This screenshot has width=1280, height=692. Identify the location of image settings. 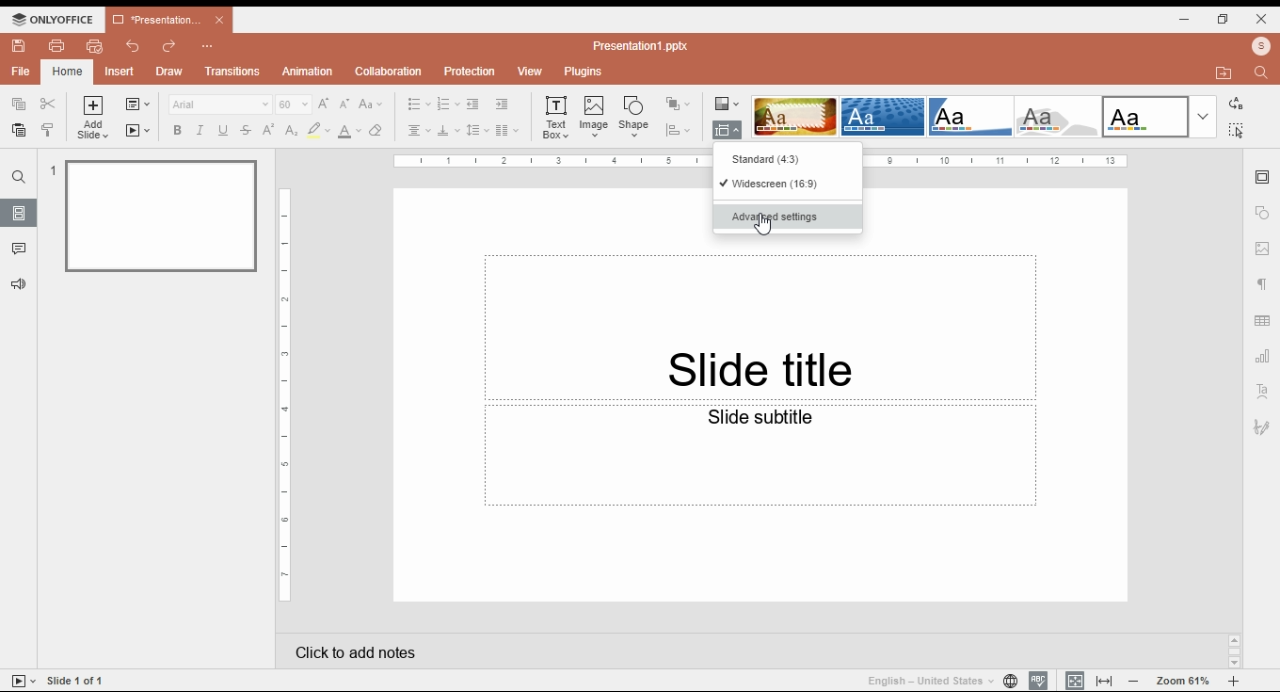
(1263, 250).